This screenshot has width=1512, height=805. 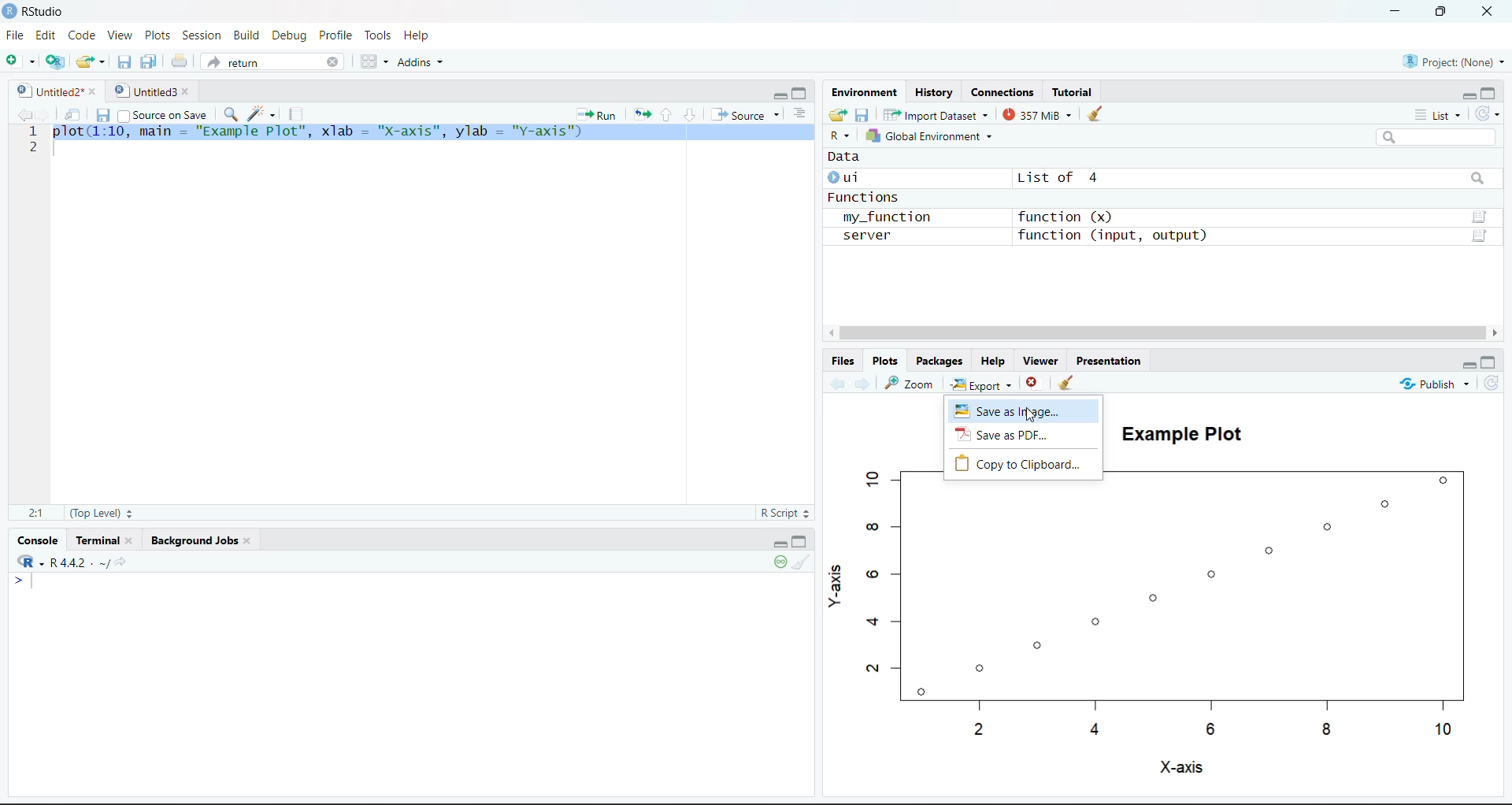 What do you see at coordinates (35, 512) in the screenshot?
I see `2:1` at bounding box center [35, 512].